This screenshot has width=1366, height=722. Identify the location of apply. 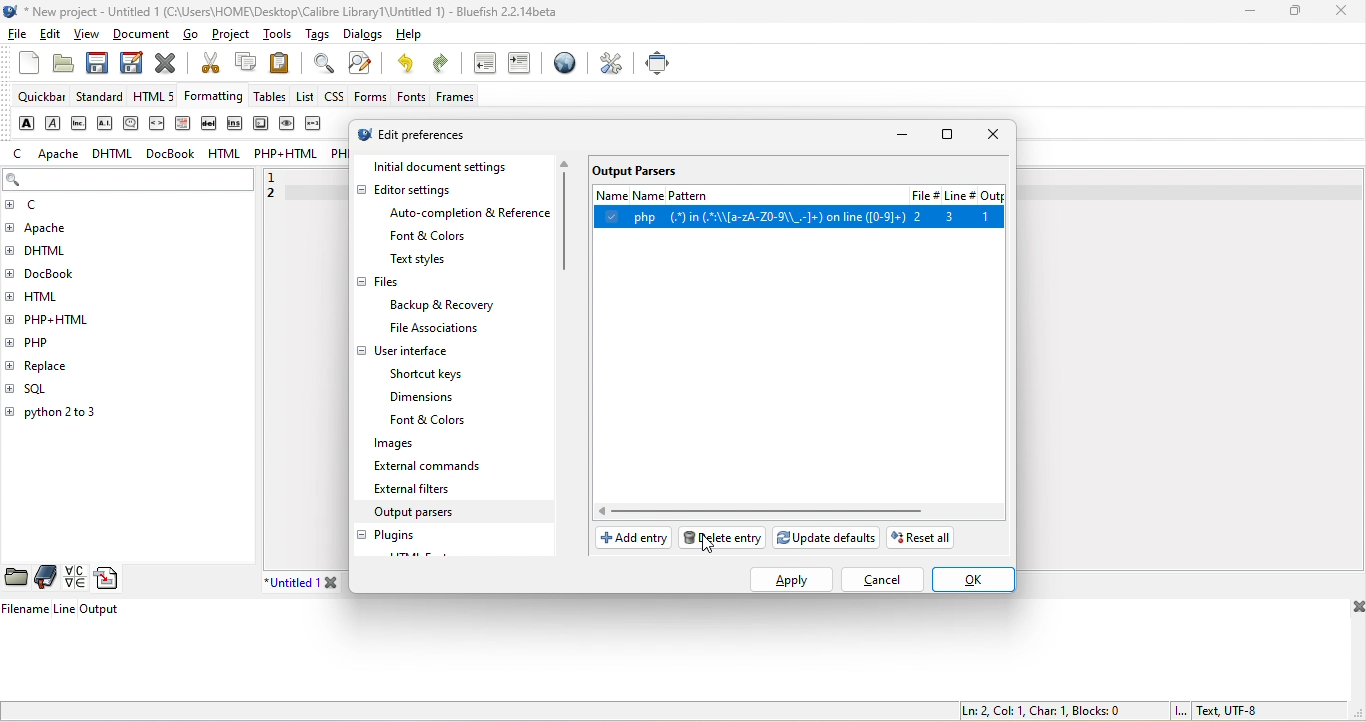
(794, 580).